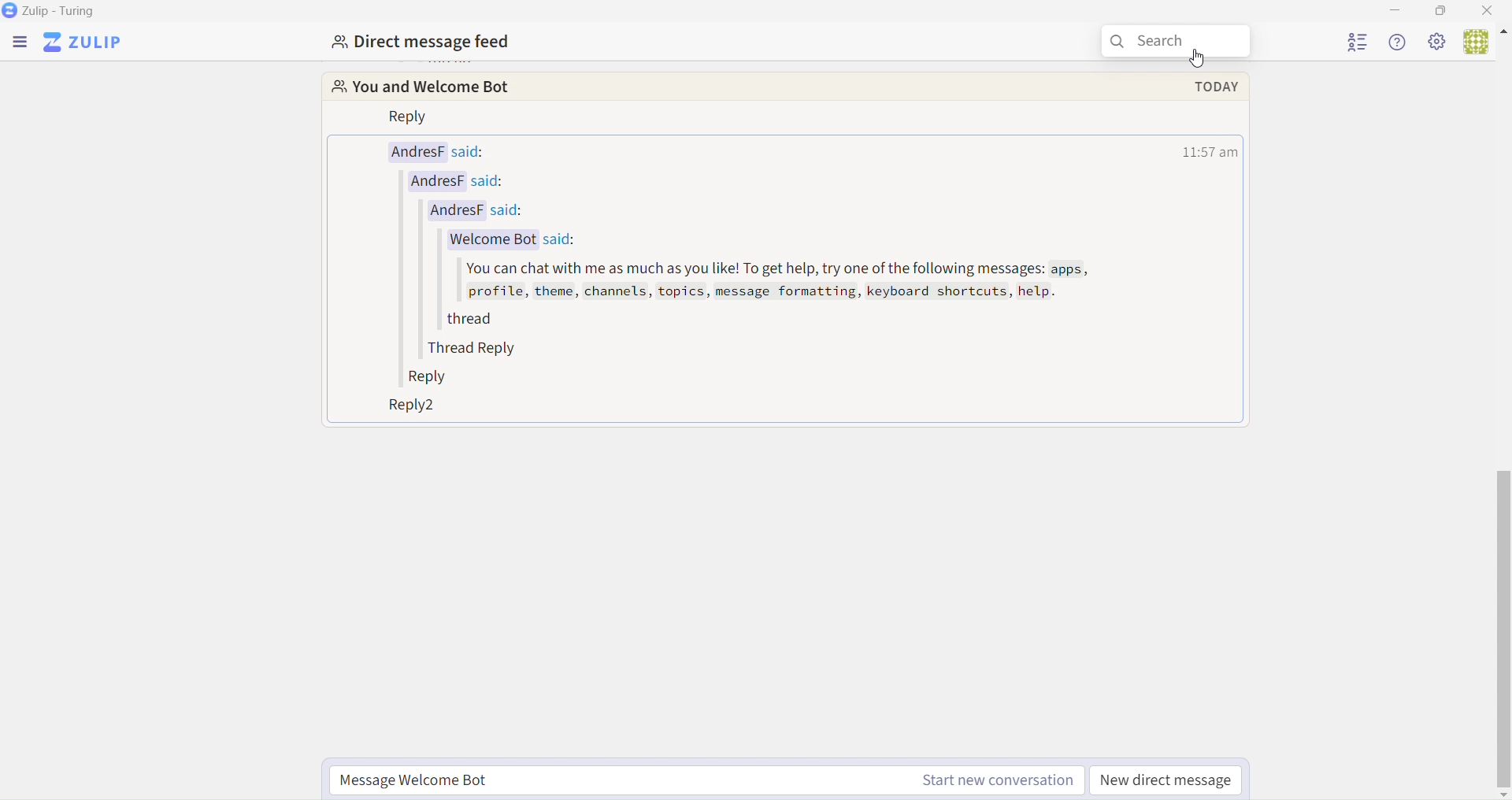  What do you see at coordinates (435, 88) in the screenshot?
I see `You and Welcome Bot` at bounding box center [435, 88].